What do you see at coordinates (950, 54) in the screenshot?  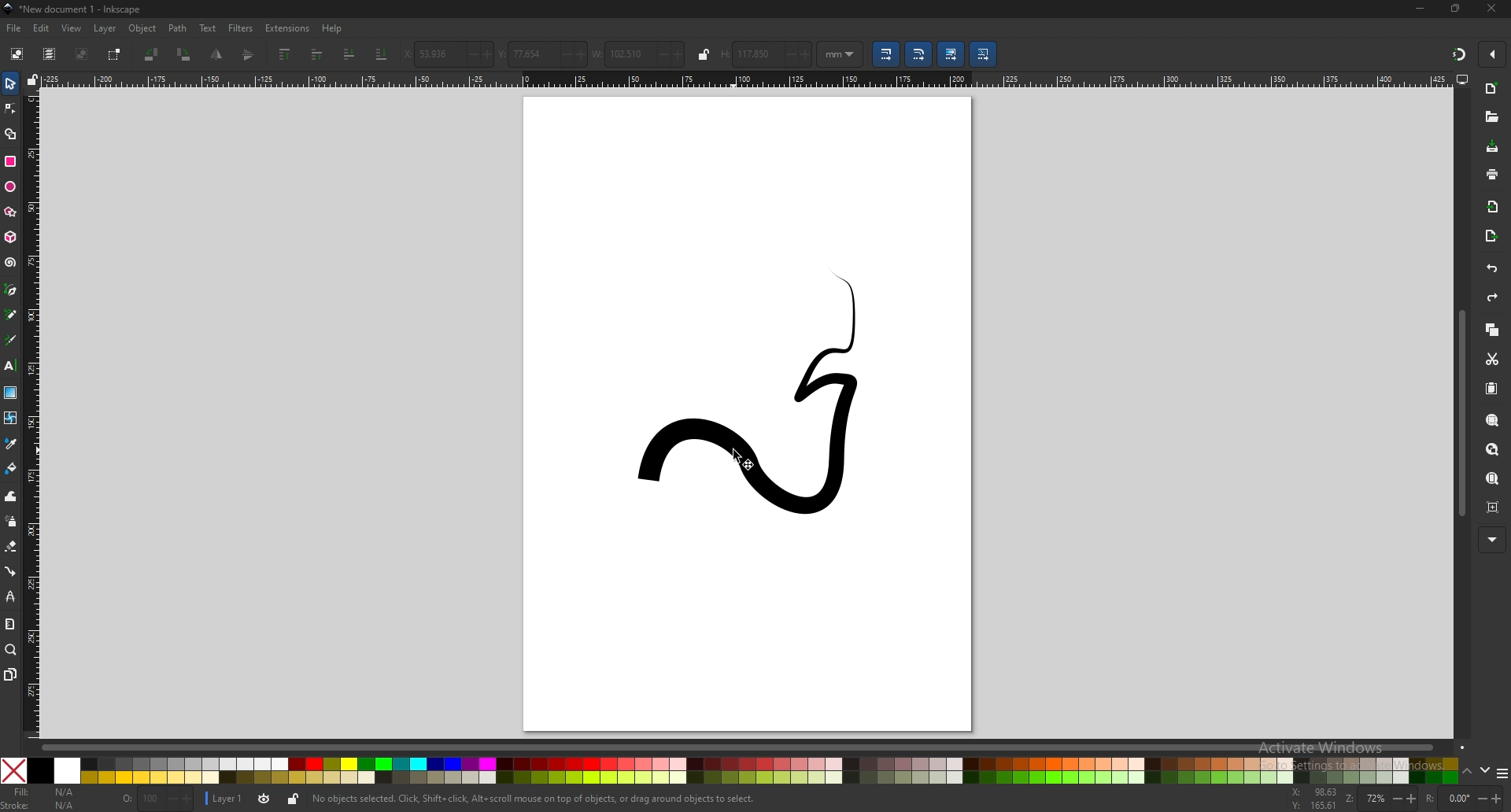 I see `move gradient` at bounding box center [950, 54].